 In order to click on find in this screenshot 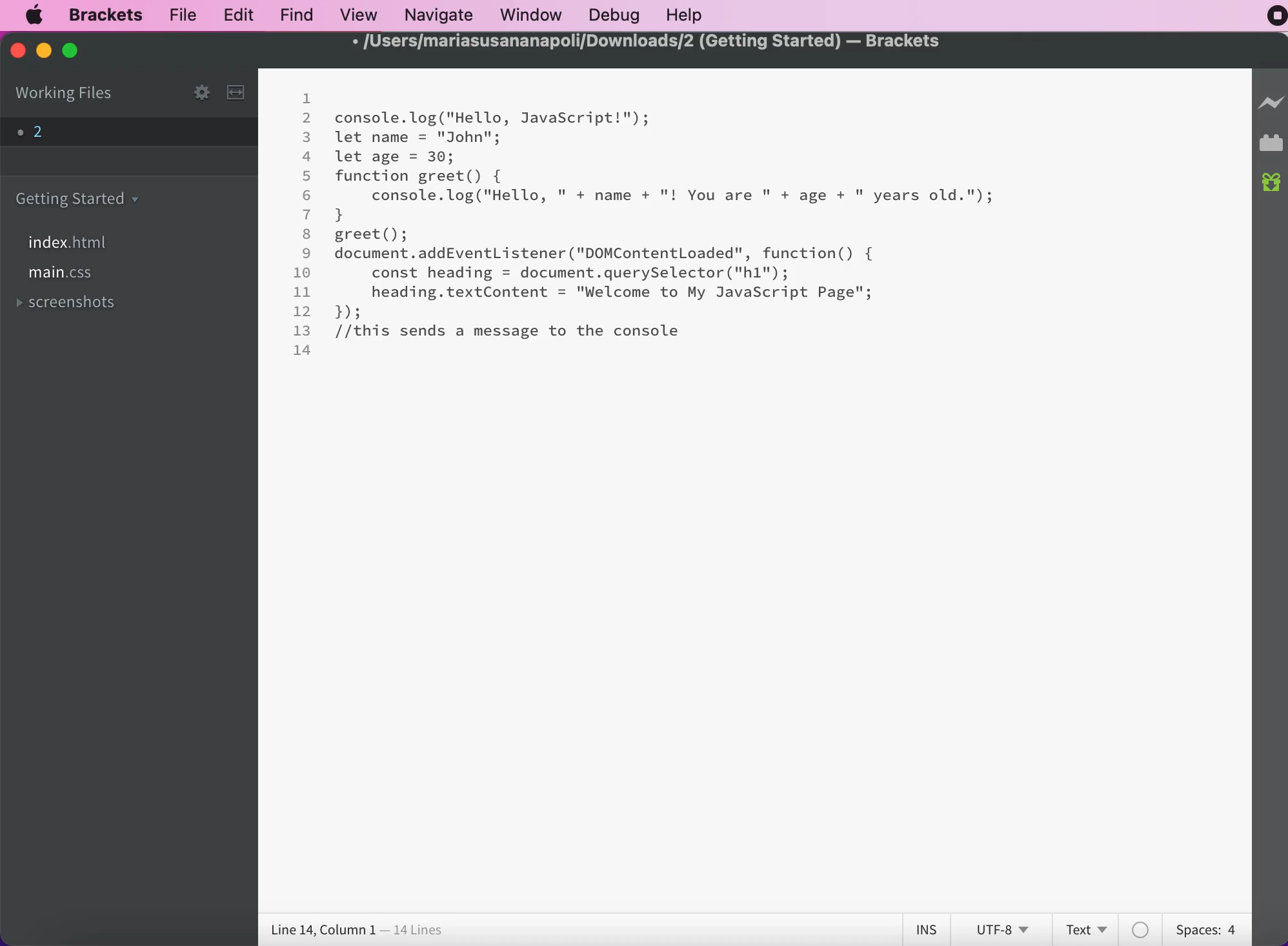, I will do `click(295, 16)`.